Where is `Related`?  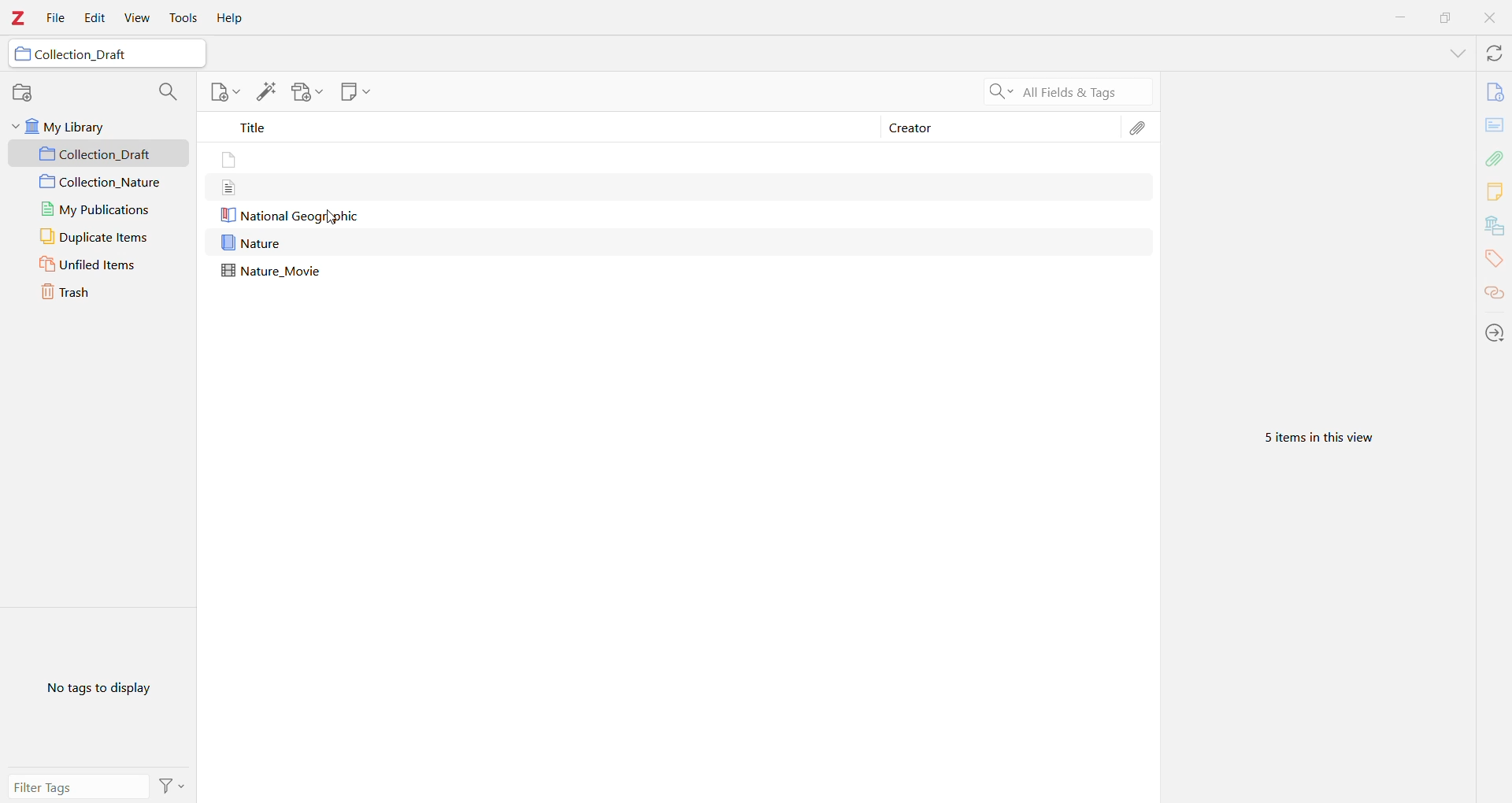 Related is located at coordinates (1495, 292).